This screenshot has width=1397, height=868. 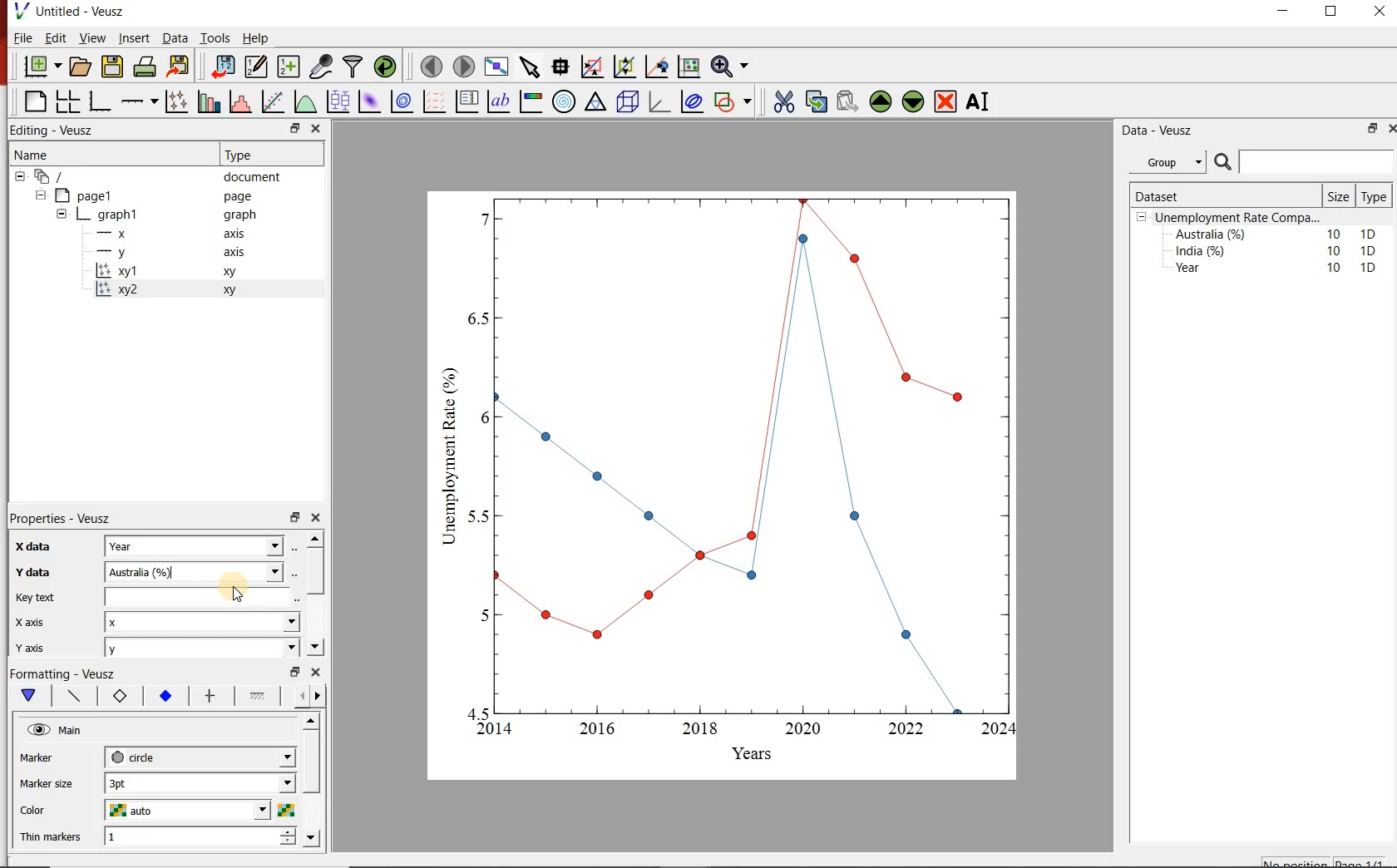 I want to click on polar graph, so click(x=565, y=102).